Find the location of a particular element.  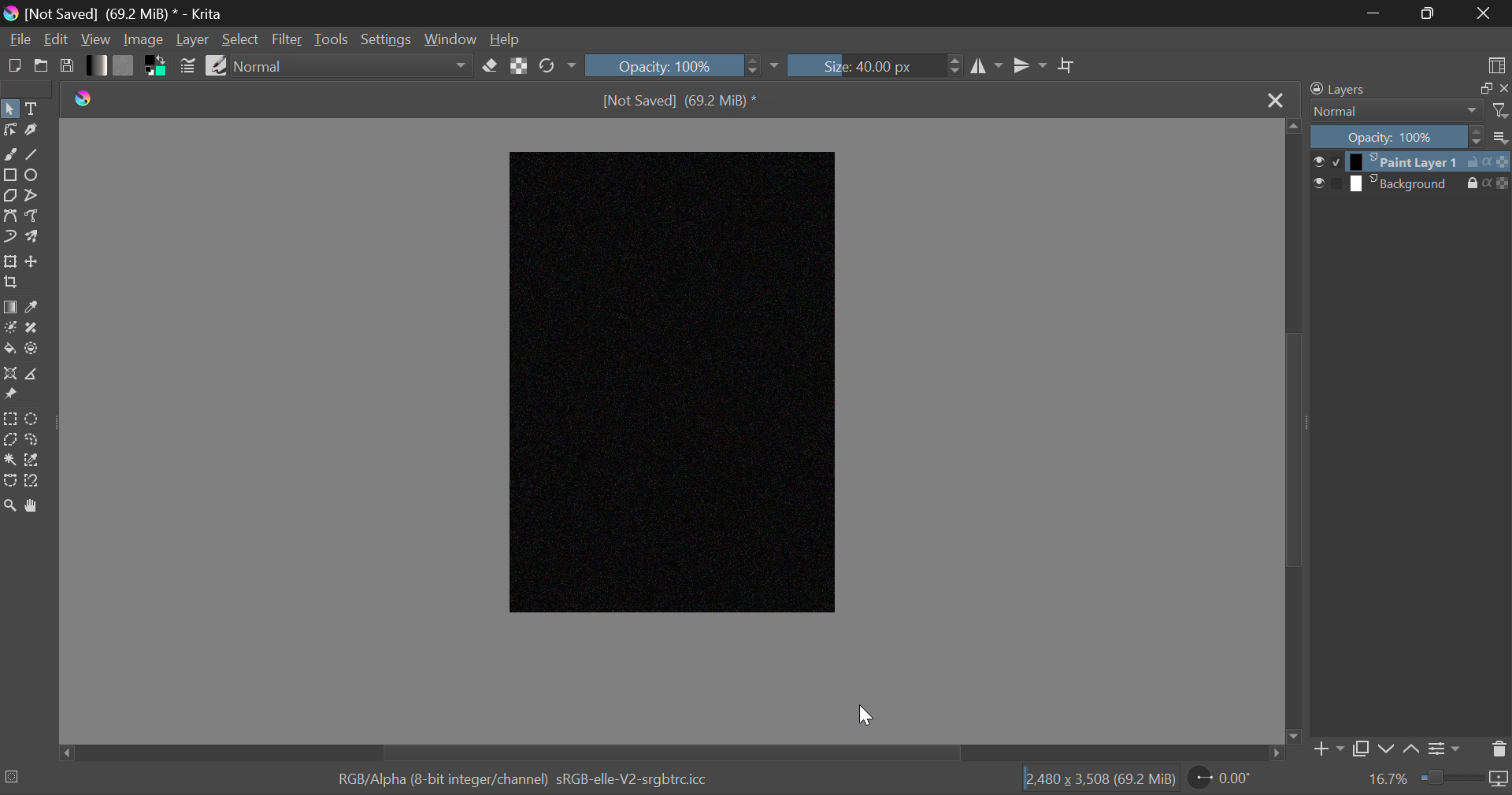

Transform Layer is located at coordinates (10, 261).